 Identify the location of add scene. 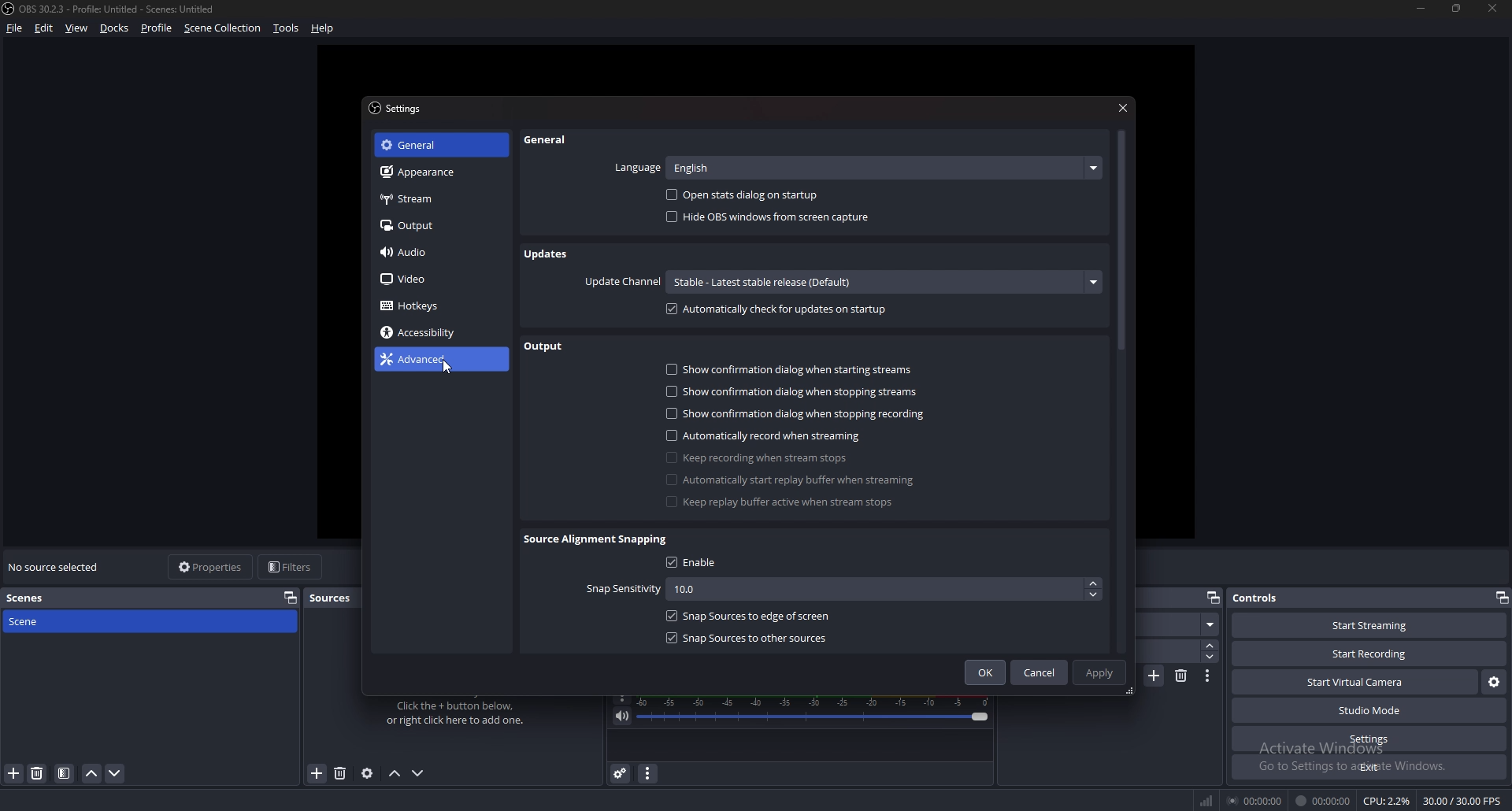
(13, 774).